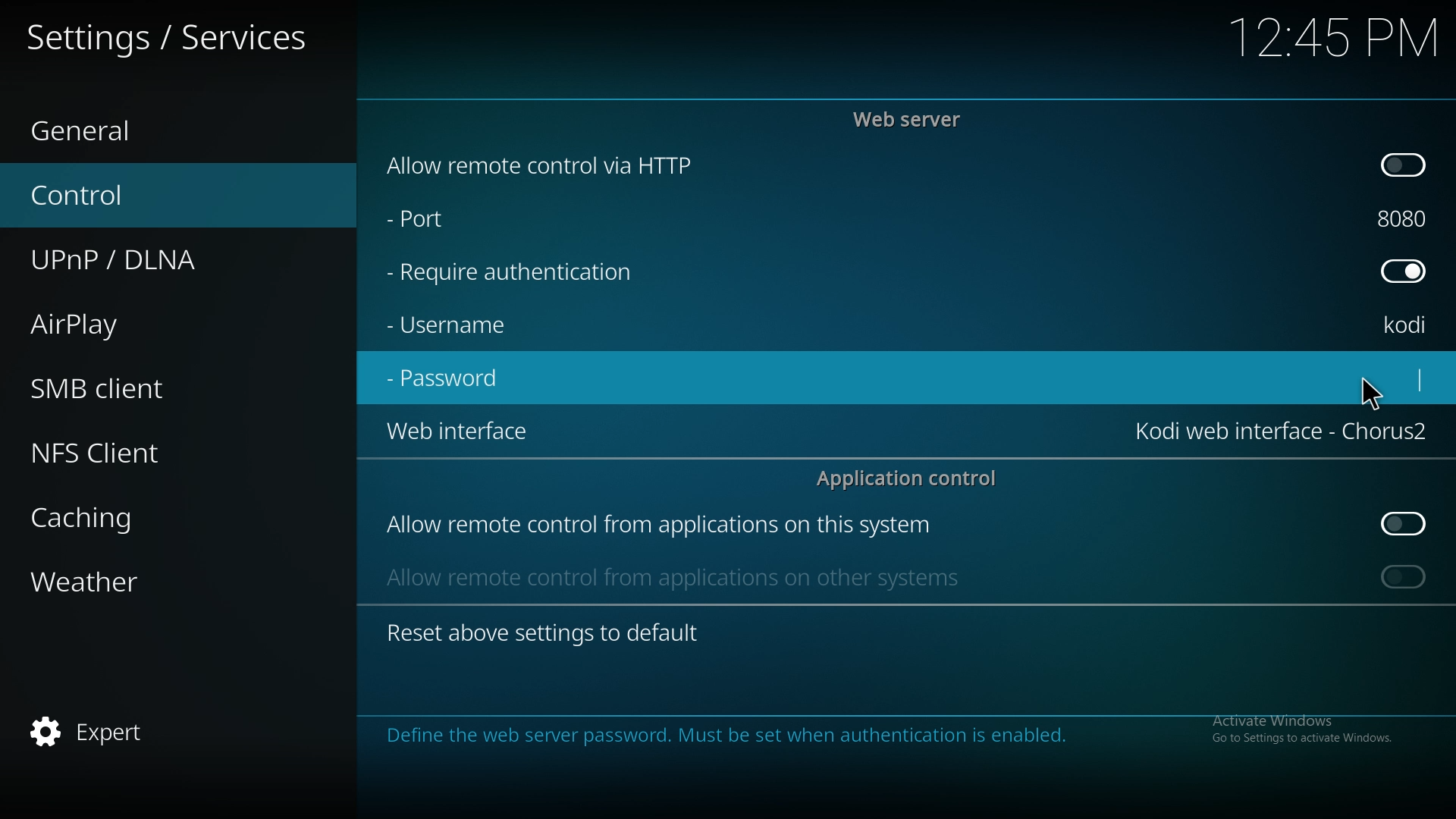  What do you see at coordinates (127, 733) in the screenshot?
I see `expert` at bounding box center [127, 733].